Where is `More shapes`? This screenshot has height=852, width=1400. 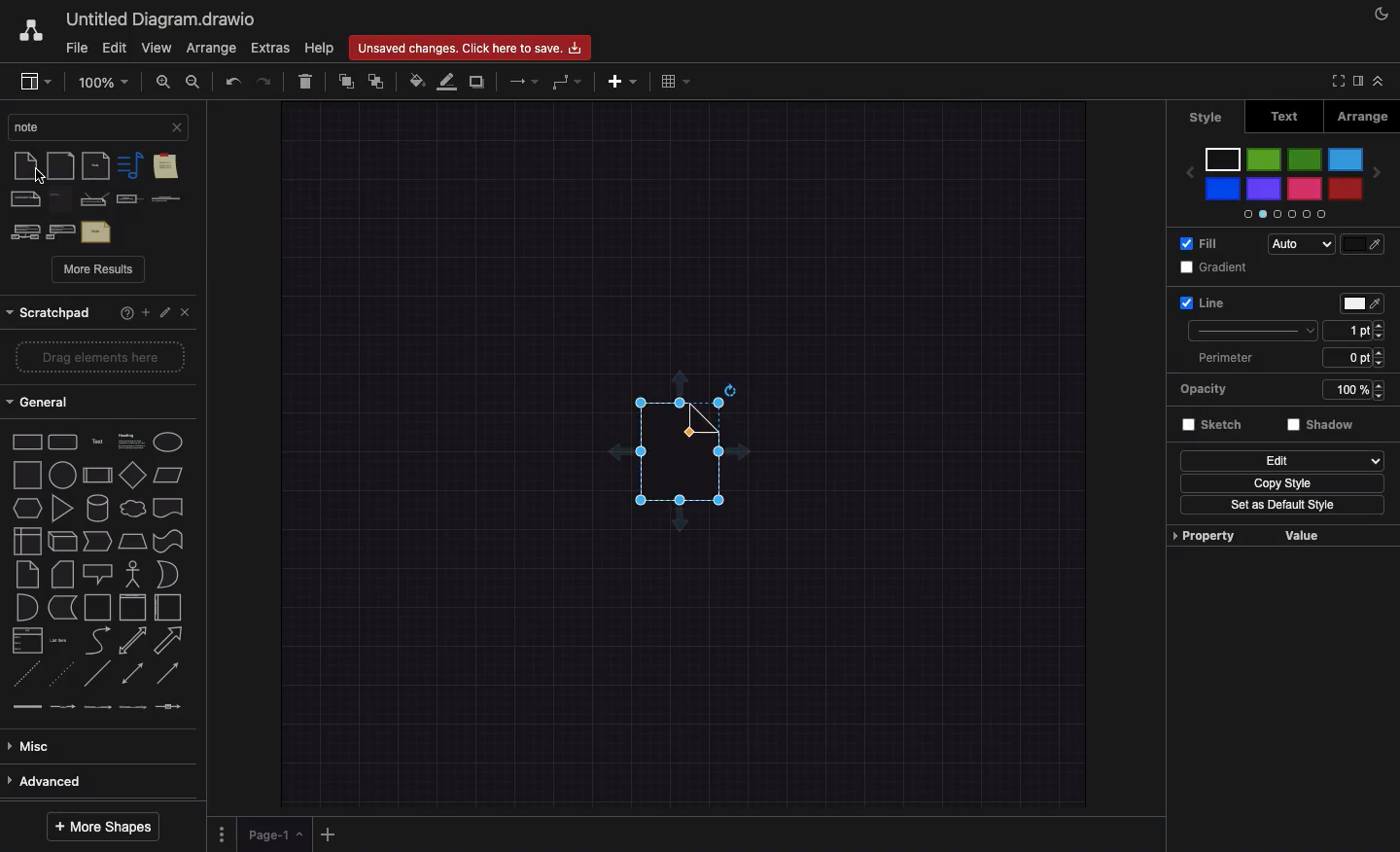 More shapes is located at coordinates (110, 828).